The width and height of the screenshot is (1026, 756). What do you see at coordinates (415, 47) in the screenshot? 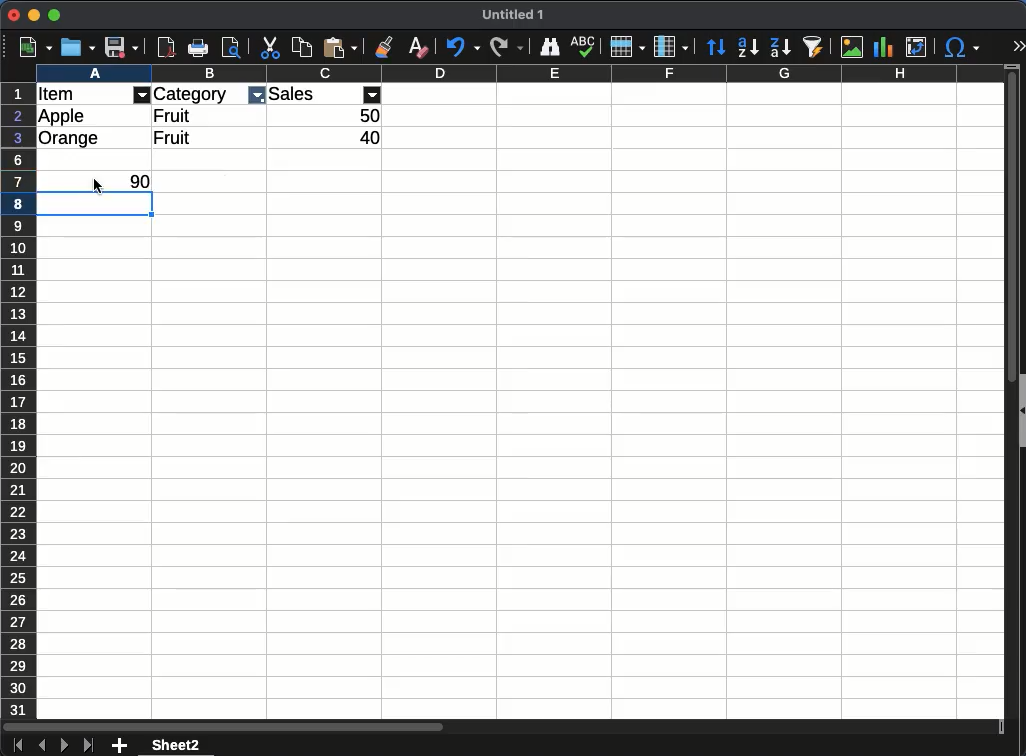
I see `clear formatting` at bounding box center [415, 47].